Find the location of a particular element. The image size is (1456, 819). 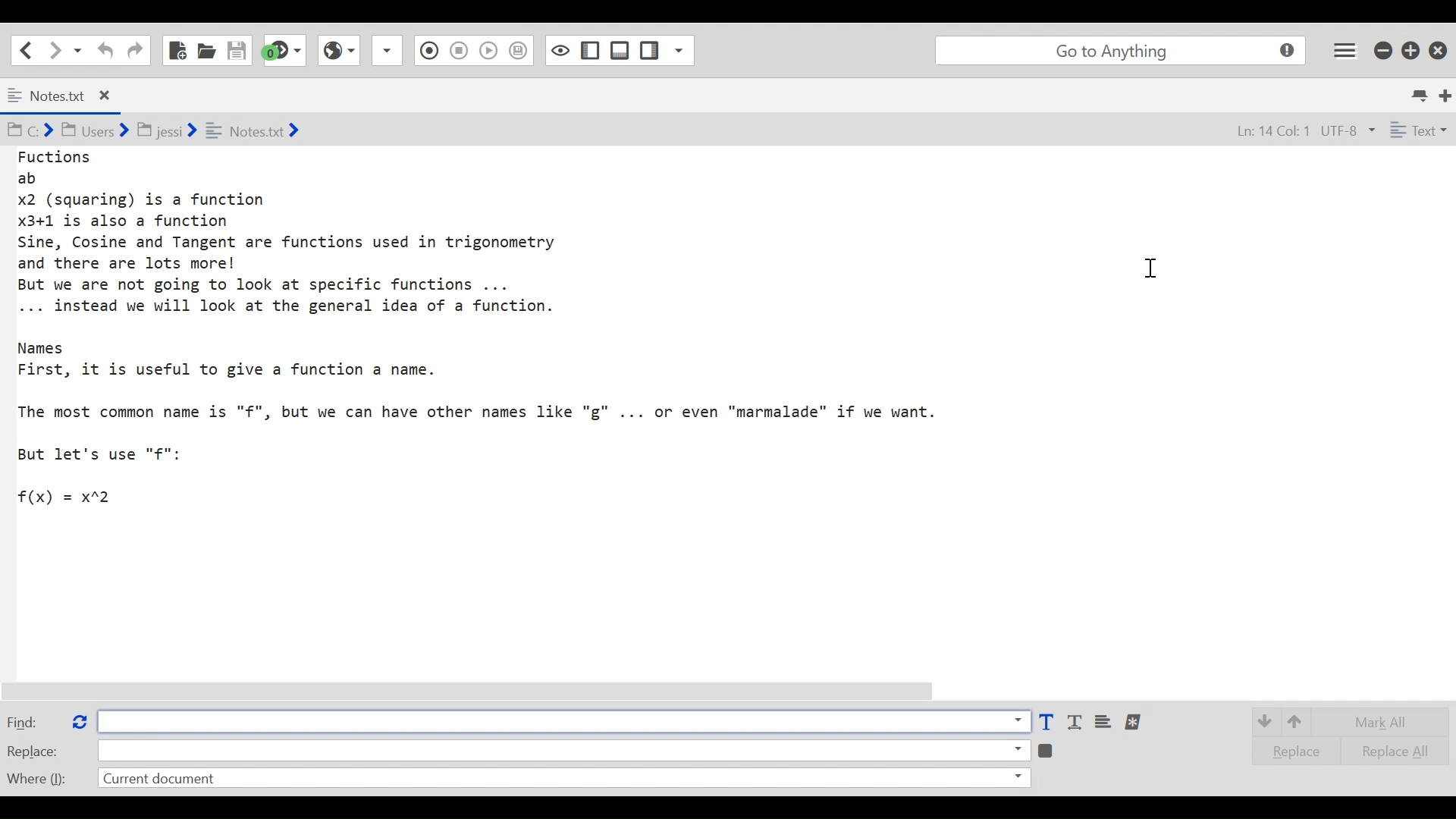

Replace All is located at coordinates (1385, 749).